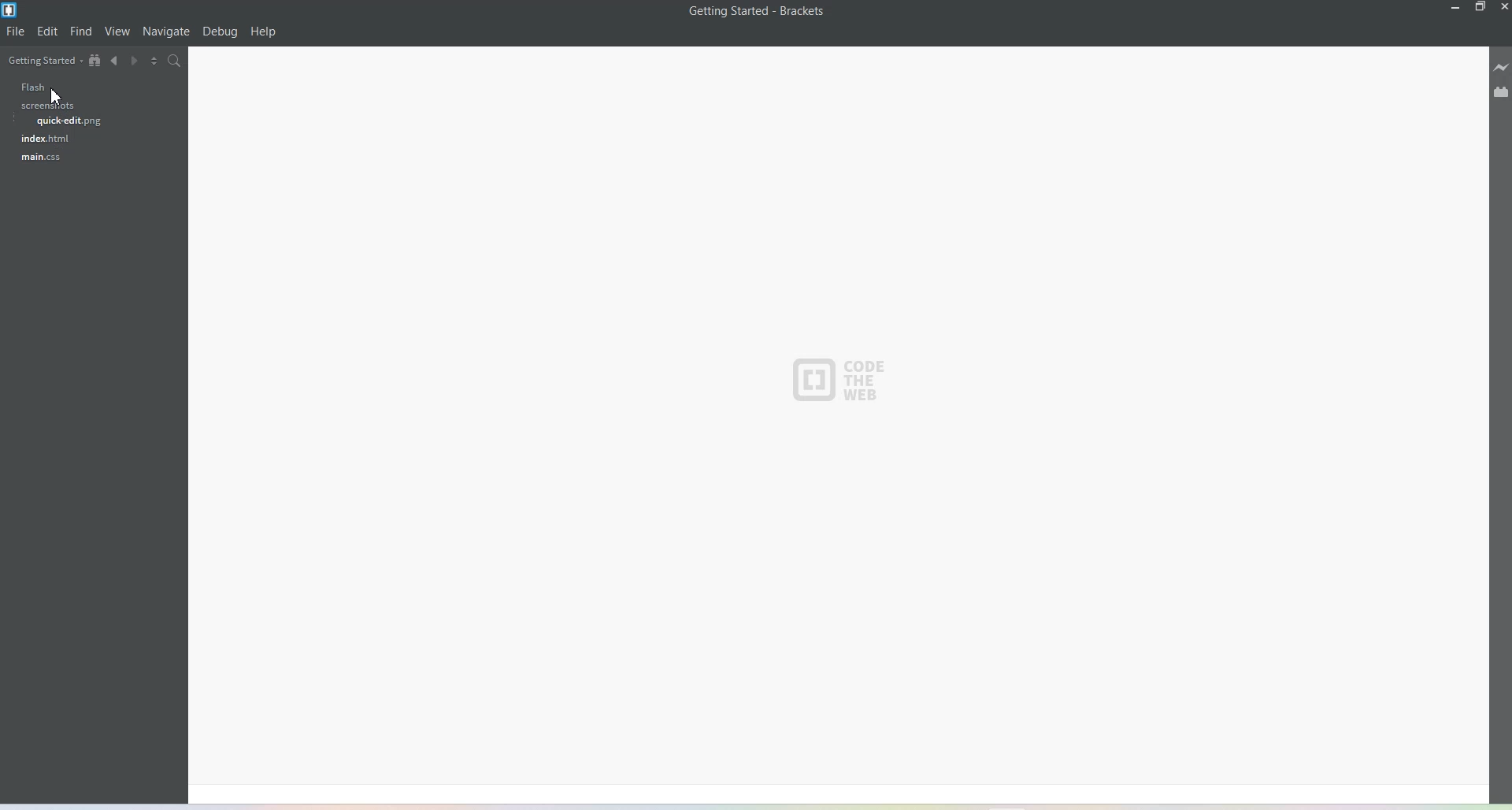  I want to click on Logo, so click(842, 380).